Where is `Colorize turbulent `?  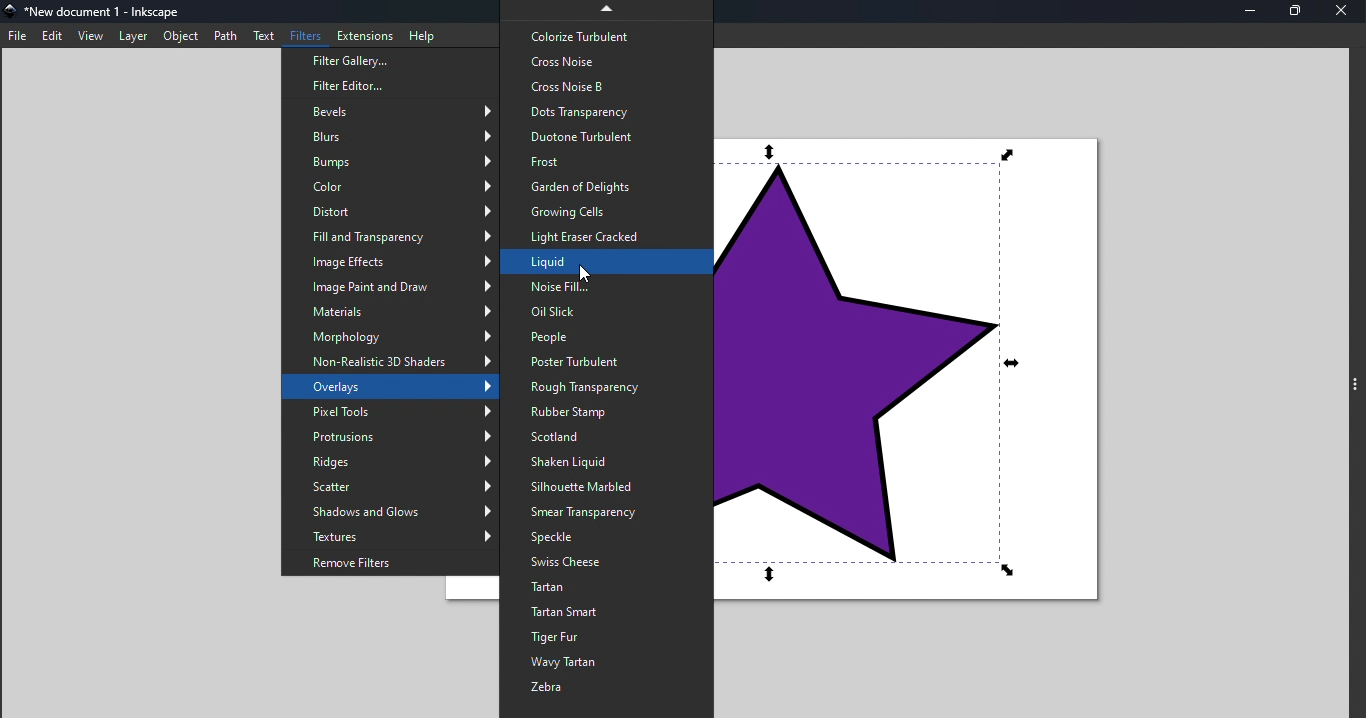 Colorize turbulent  is located at coordinates (606, 36).